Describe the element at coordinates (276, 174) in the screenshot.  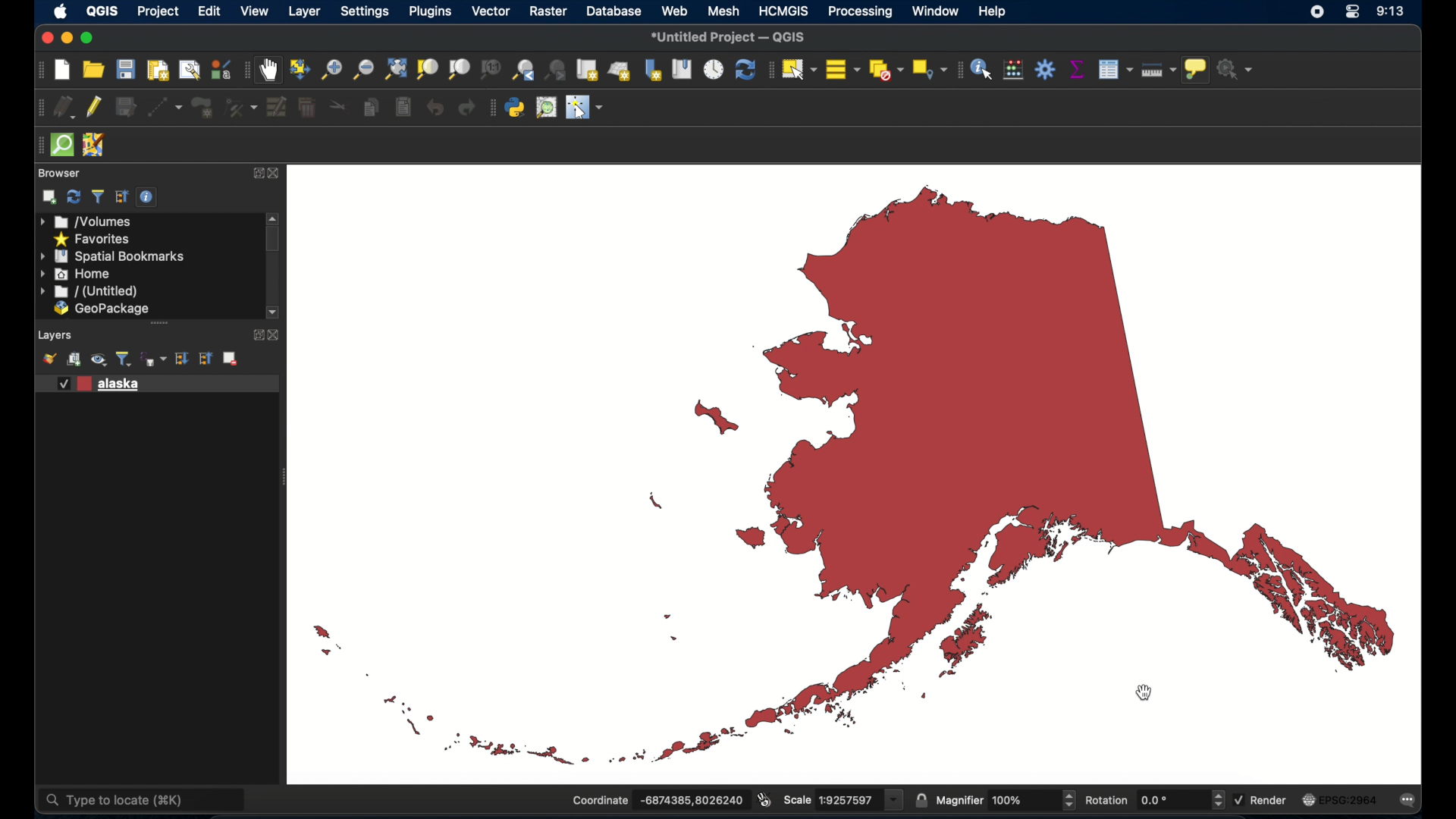
I see `close` at that location.